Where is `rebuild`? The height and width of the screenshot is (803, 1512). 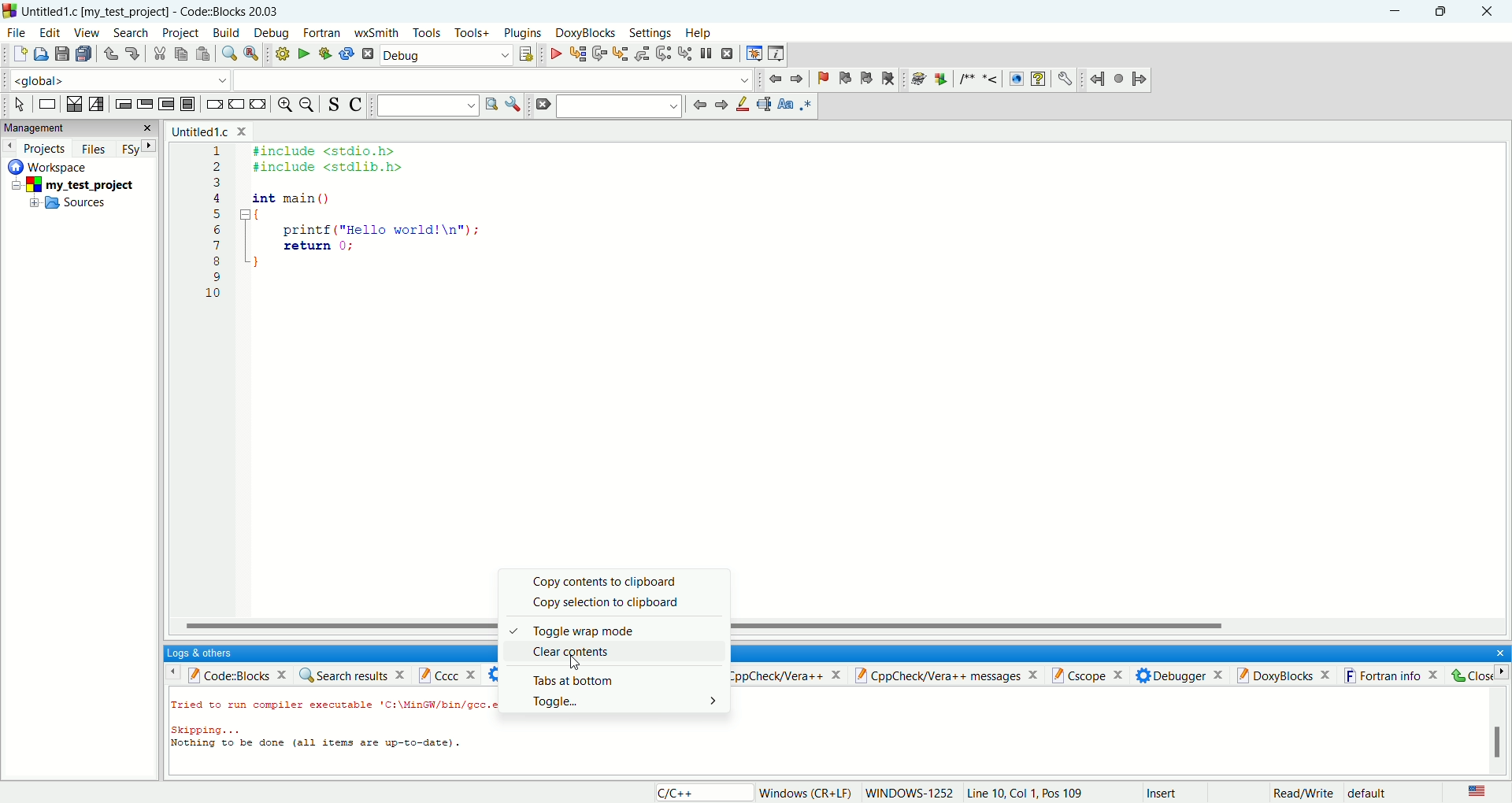 rebuild is located at coordinates (346, 54).